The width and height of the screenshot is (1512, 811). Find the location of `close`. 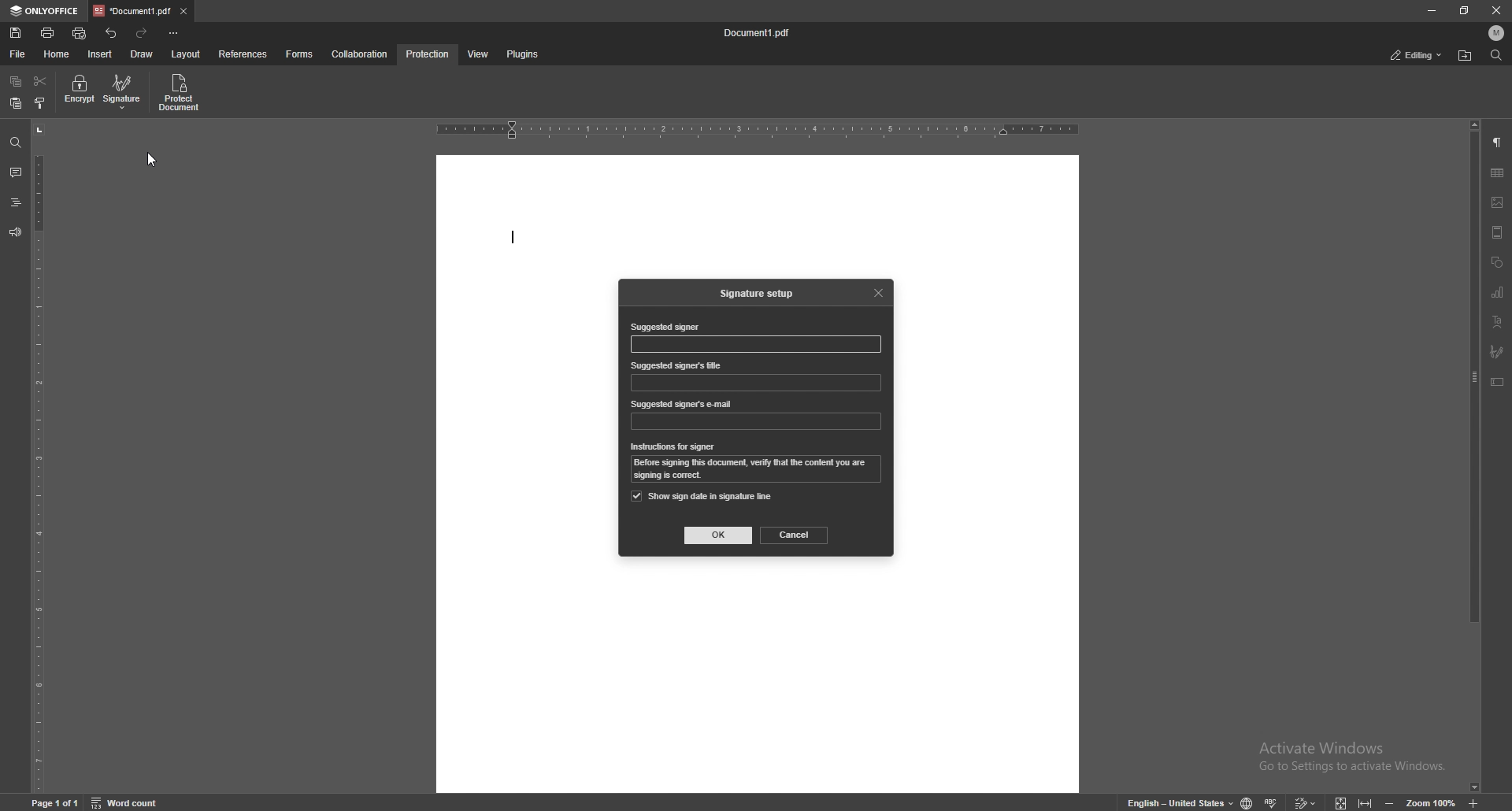

close is located at coordinates (1497, 12).